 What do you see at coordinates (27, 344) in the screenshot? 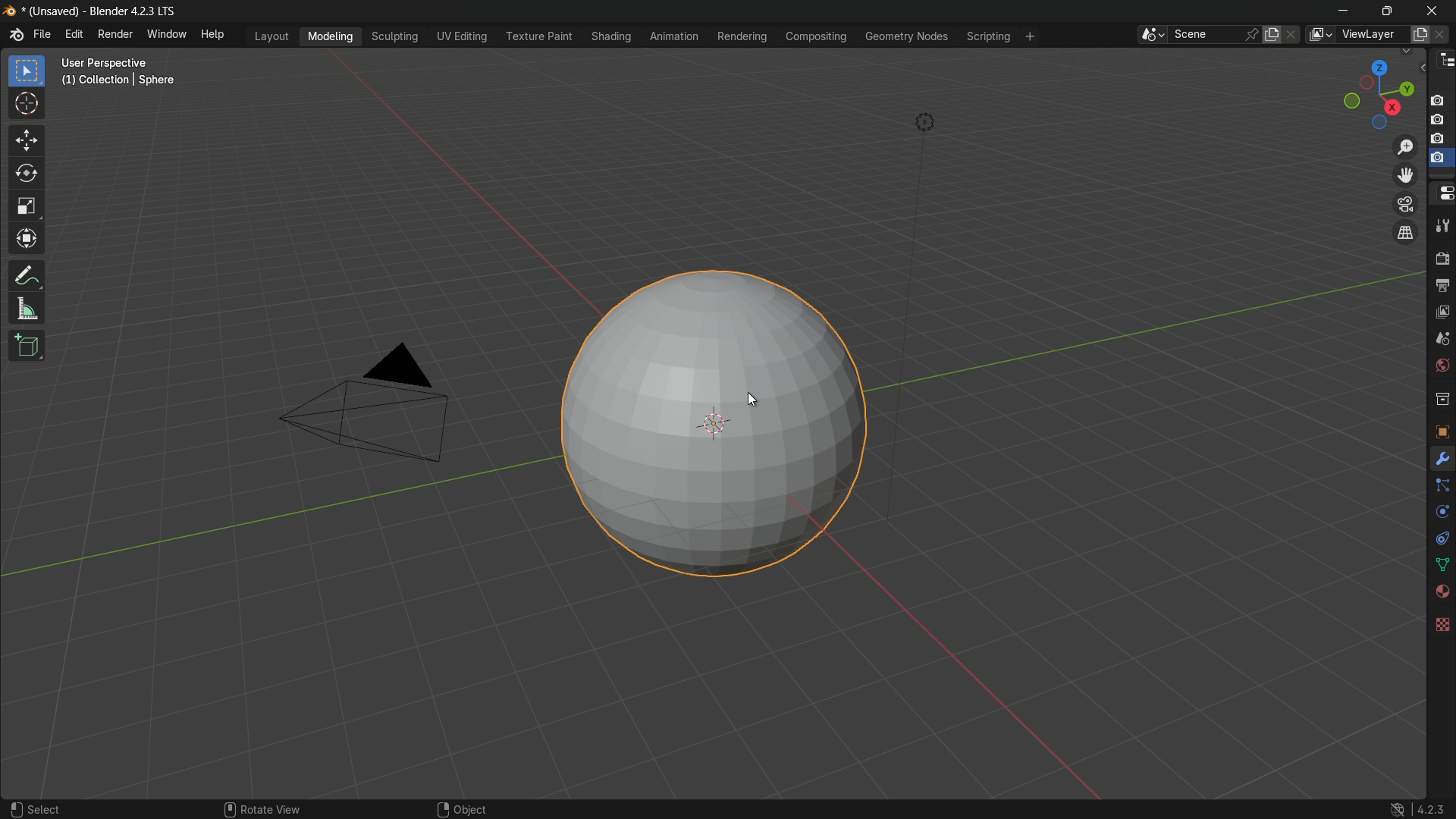
I see `add cube` at bounding box center [27, 344].